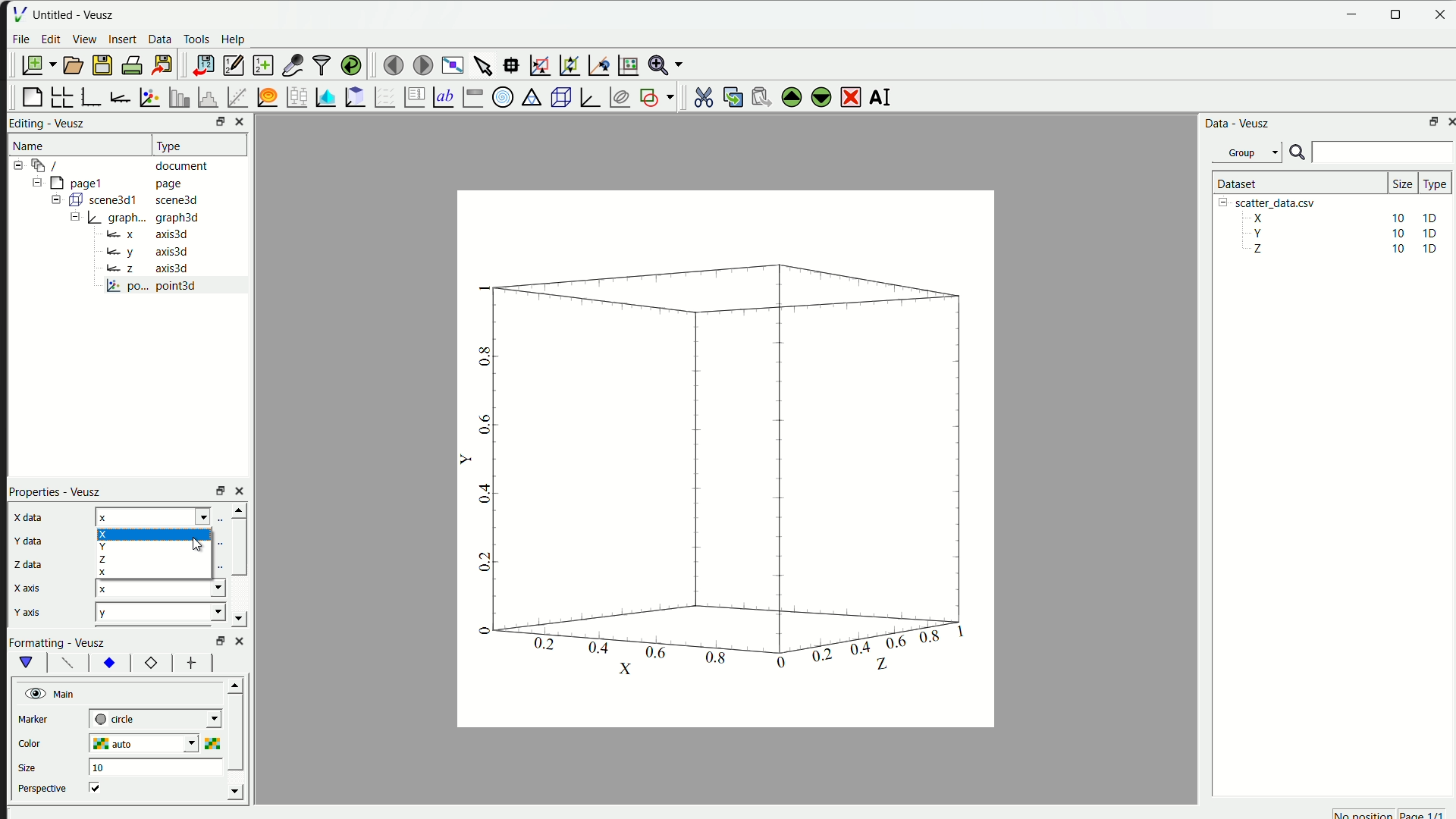  What do you see at coordinates (83, 38) in the screenshot?
I see `View` at bounding box center [83, 38].